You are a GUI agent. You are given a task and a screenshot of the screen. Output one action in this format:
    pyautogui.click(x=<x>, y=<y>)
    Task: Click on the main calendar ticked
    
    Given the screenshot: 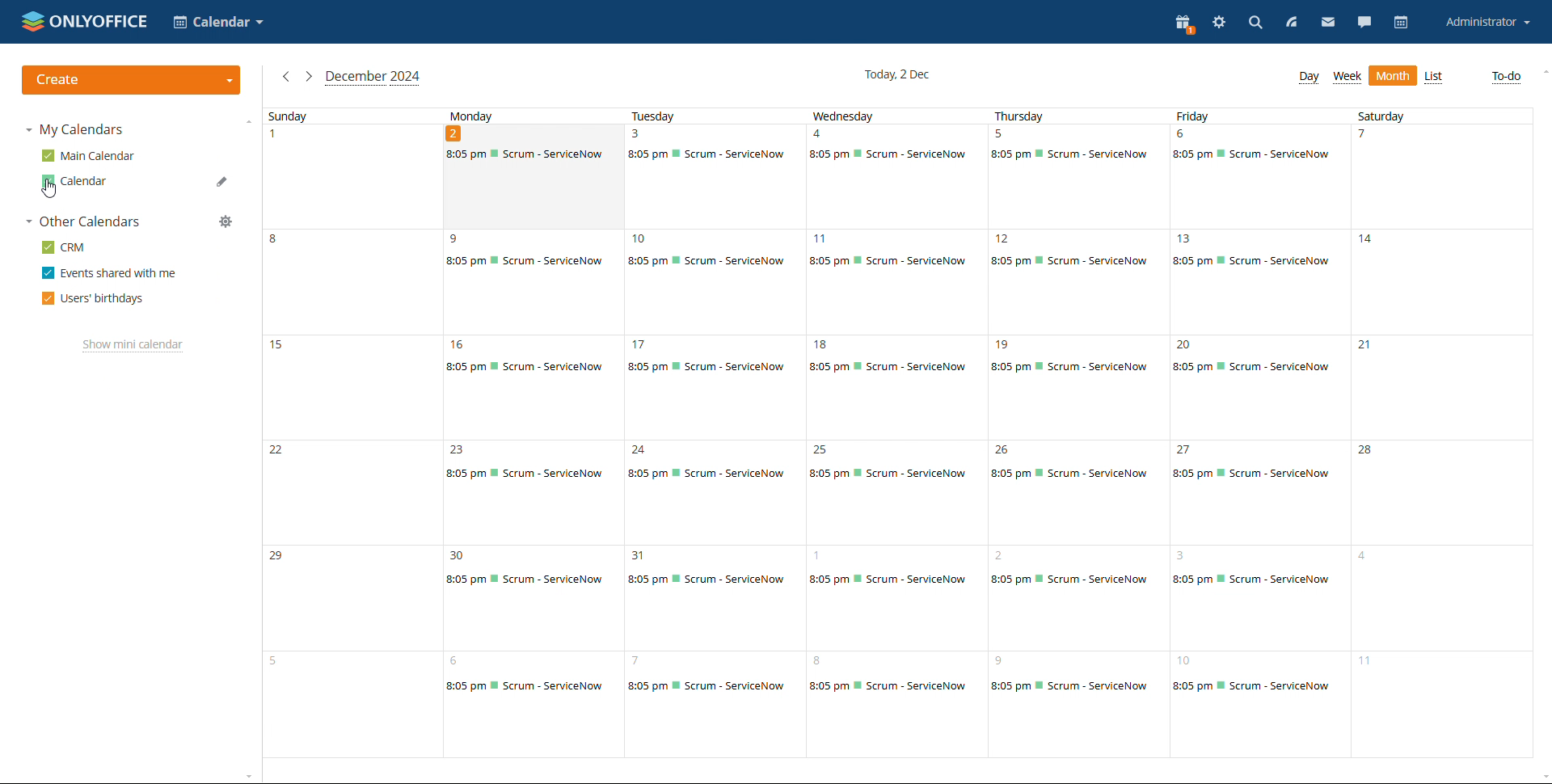 What is the action you would take?
    pyautogui.click(x=91, y=156)
    